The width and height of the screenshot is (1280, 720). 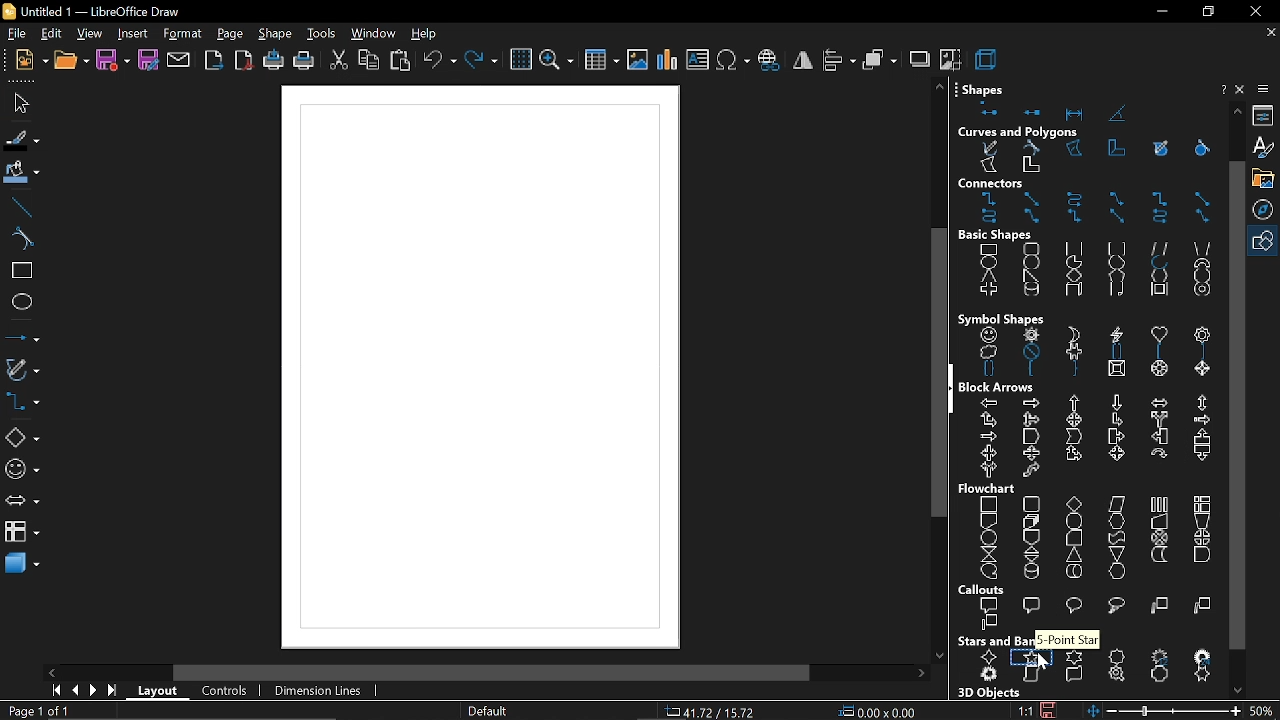 What do you see at coordinates (21, 305) in the screenshot?
I see `ellipse` at bounding box center [21, 305].